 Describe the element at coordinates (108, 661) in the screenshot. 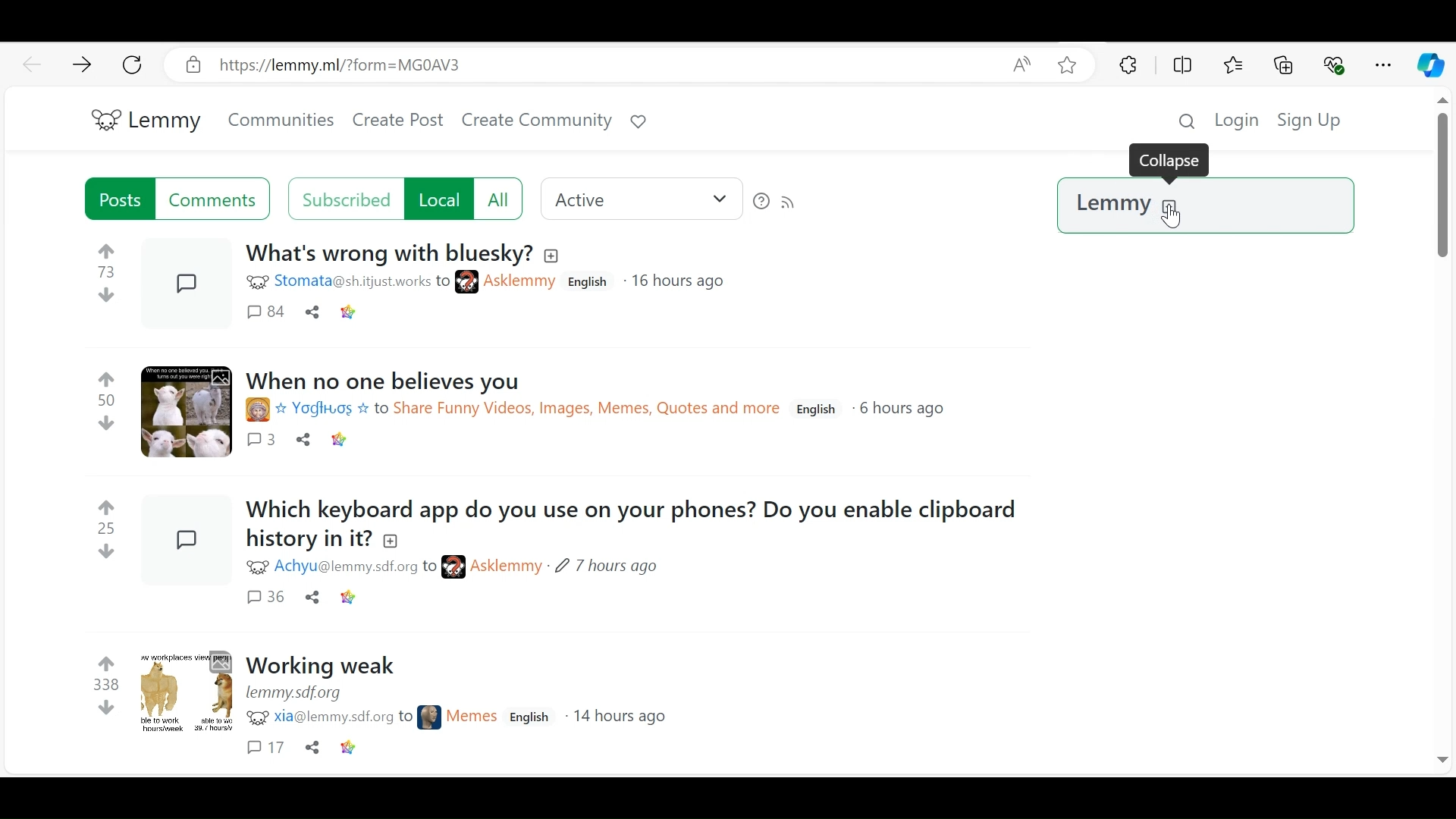

I see `Upvotes` at that location.